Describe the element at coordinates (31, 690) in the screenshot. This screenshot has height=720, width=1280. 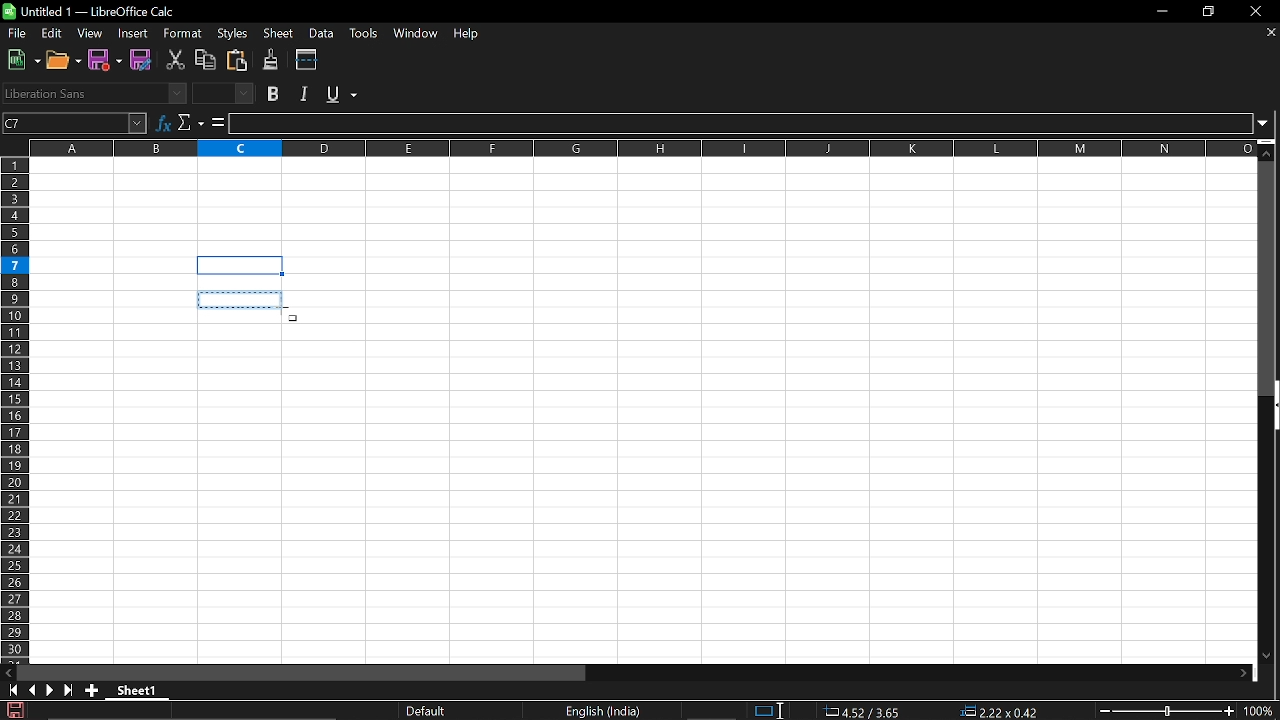
I see `Previous sheet` at that location.